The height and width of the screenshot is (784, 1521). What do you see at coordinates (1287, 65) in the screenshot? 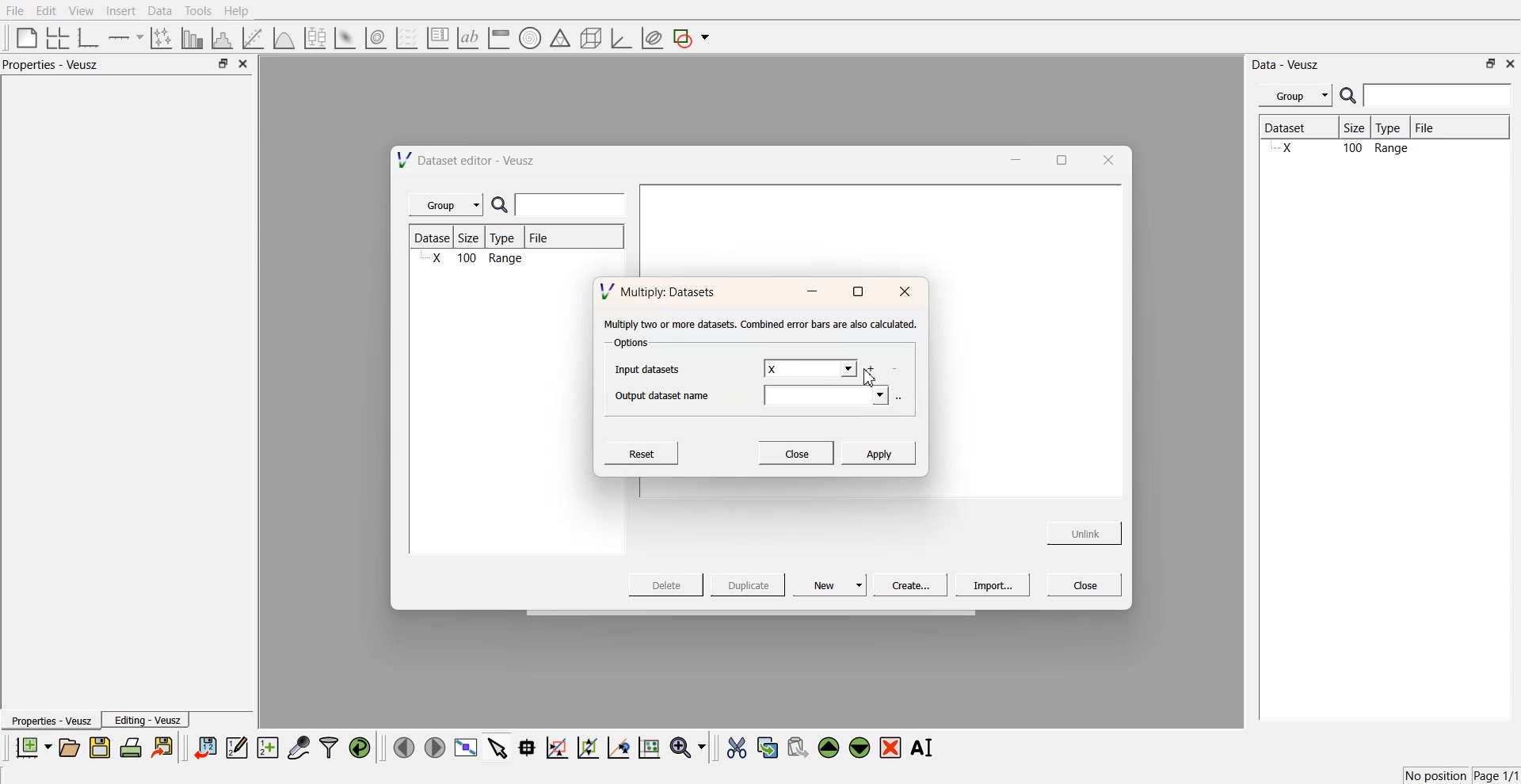
I see `Data - Veusz` at bounding box center [1287, 65].